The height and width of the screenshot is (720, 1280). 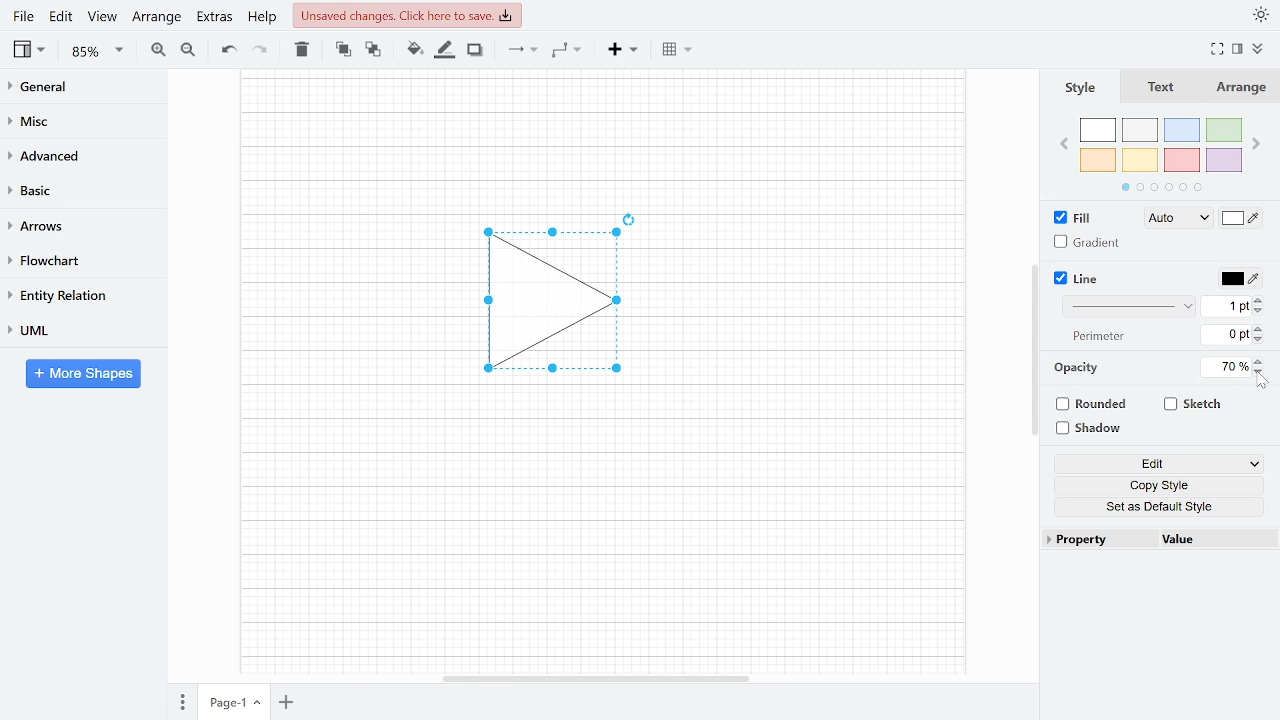 What do you see at coordinates (212, 16) in the screenshot?
I see `Extras` at bounding box center [212, 16].